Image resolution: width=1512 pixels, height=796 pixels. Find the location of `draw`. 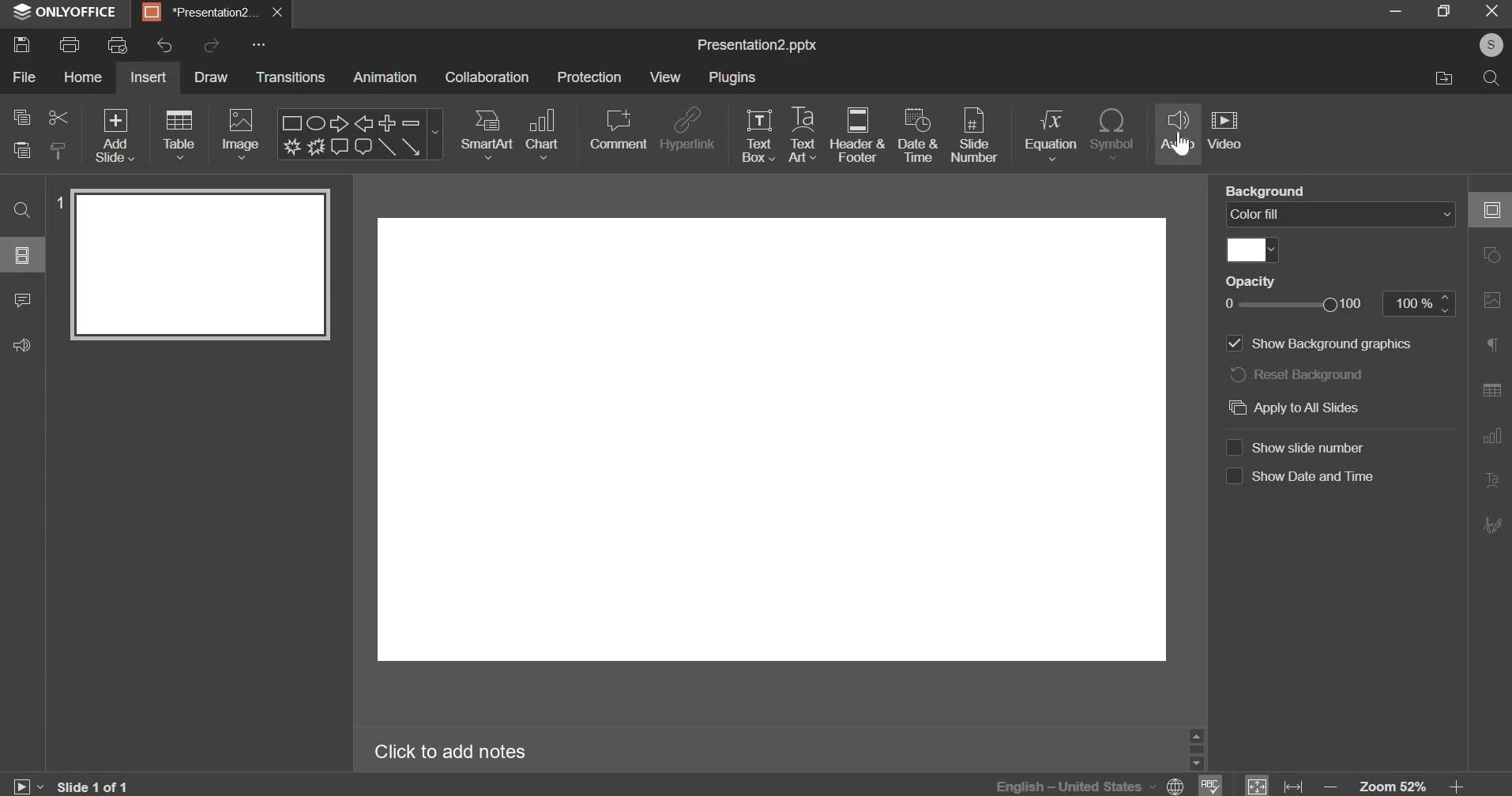

draw is located at coordinates (208, 76).